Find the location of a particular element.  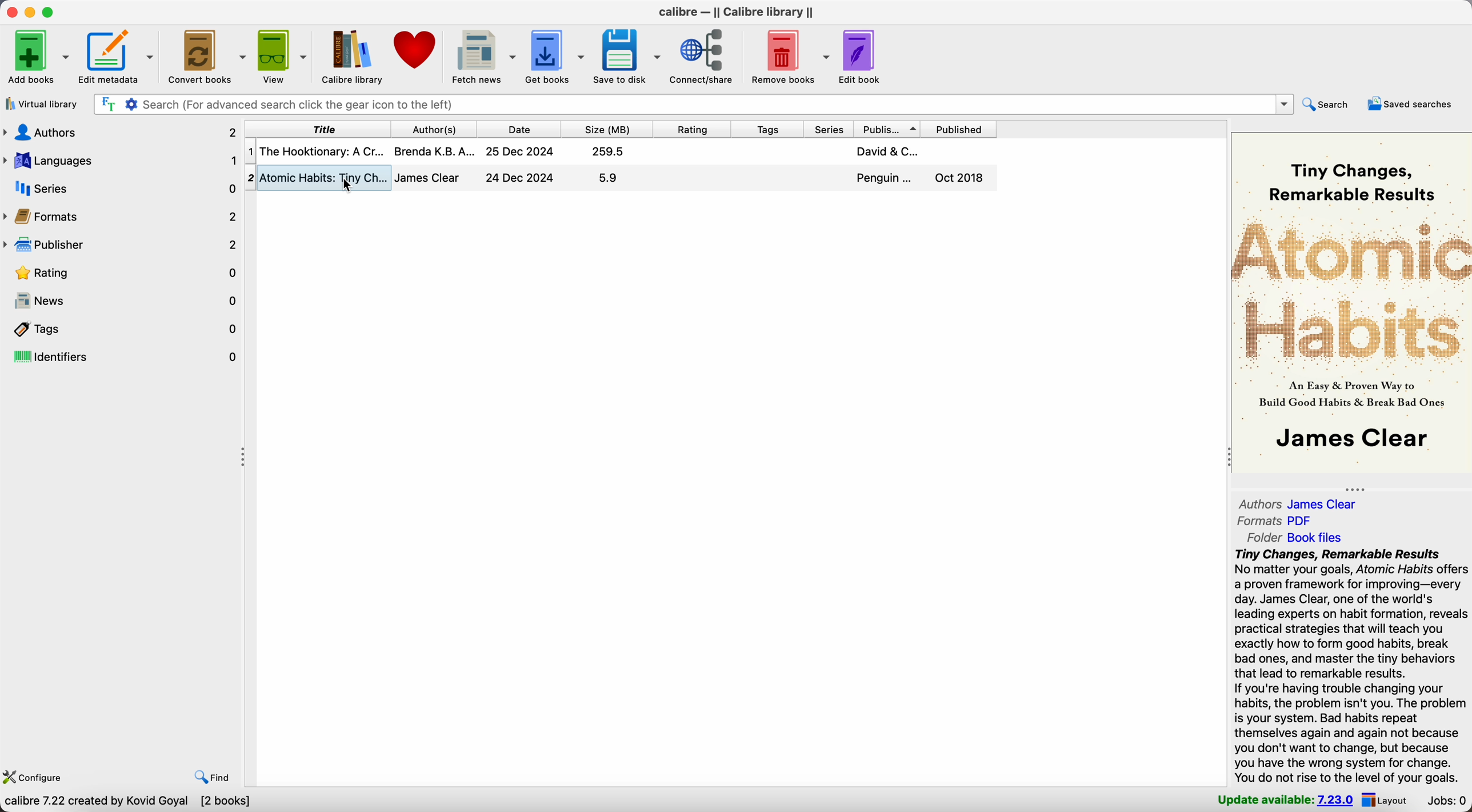

identifiers is located at coordinates (122, 357).